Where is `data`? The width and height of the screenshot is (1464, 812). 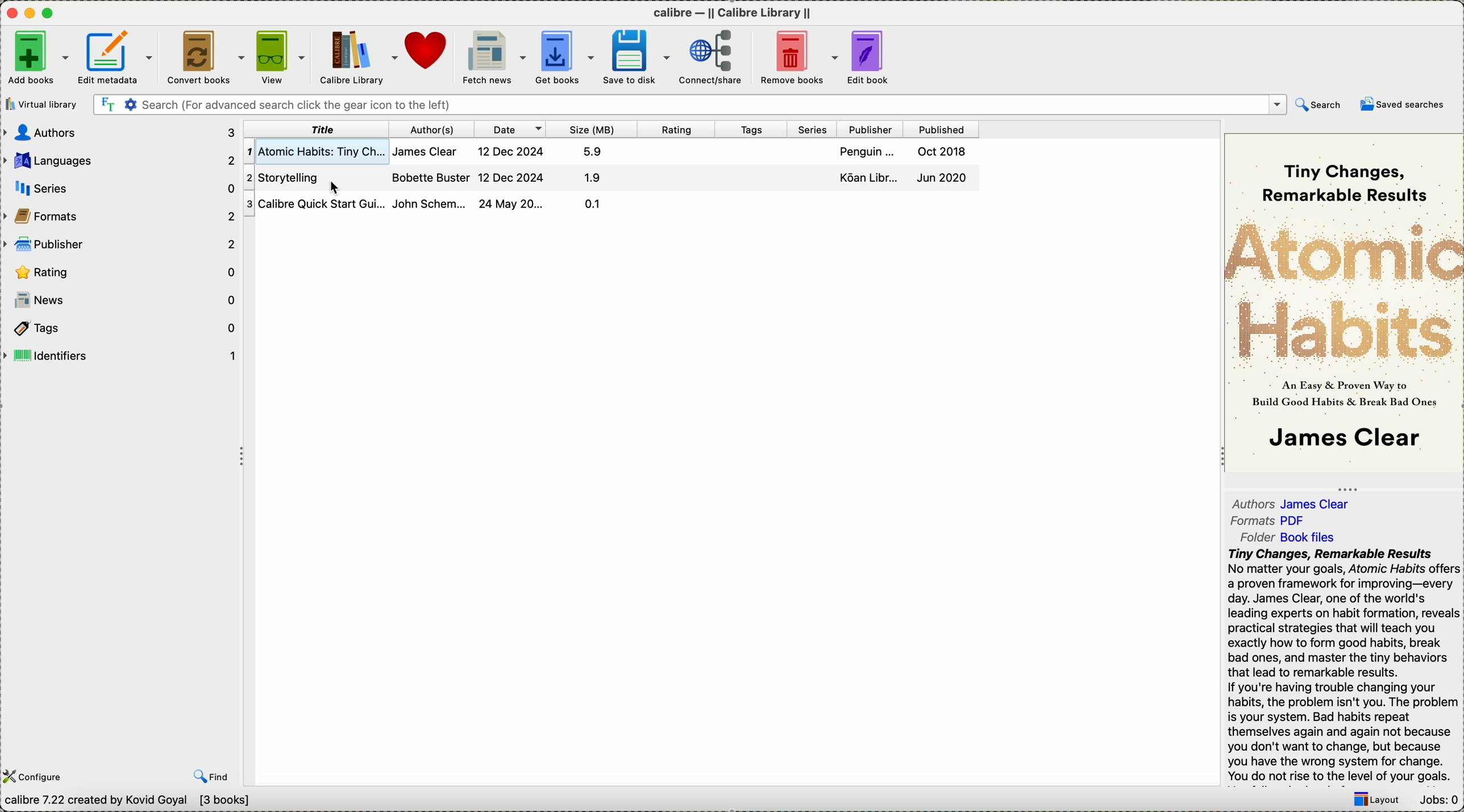
data is located at coordinates (131, 801).